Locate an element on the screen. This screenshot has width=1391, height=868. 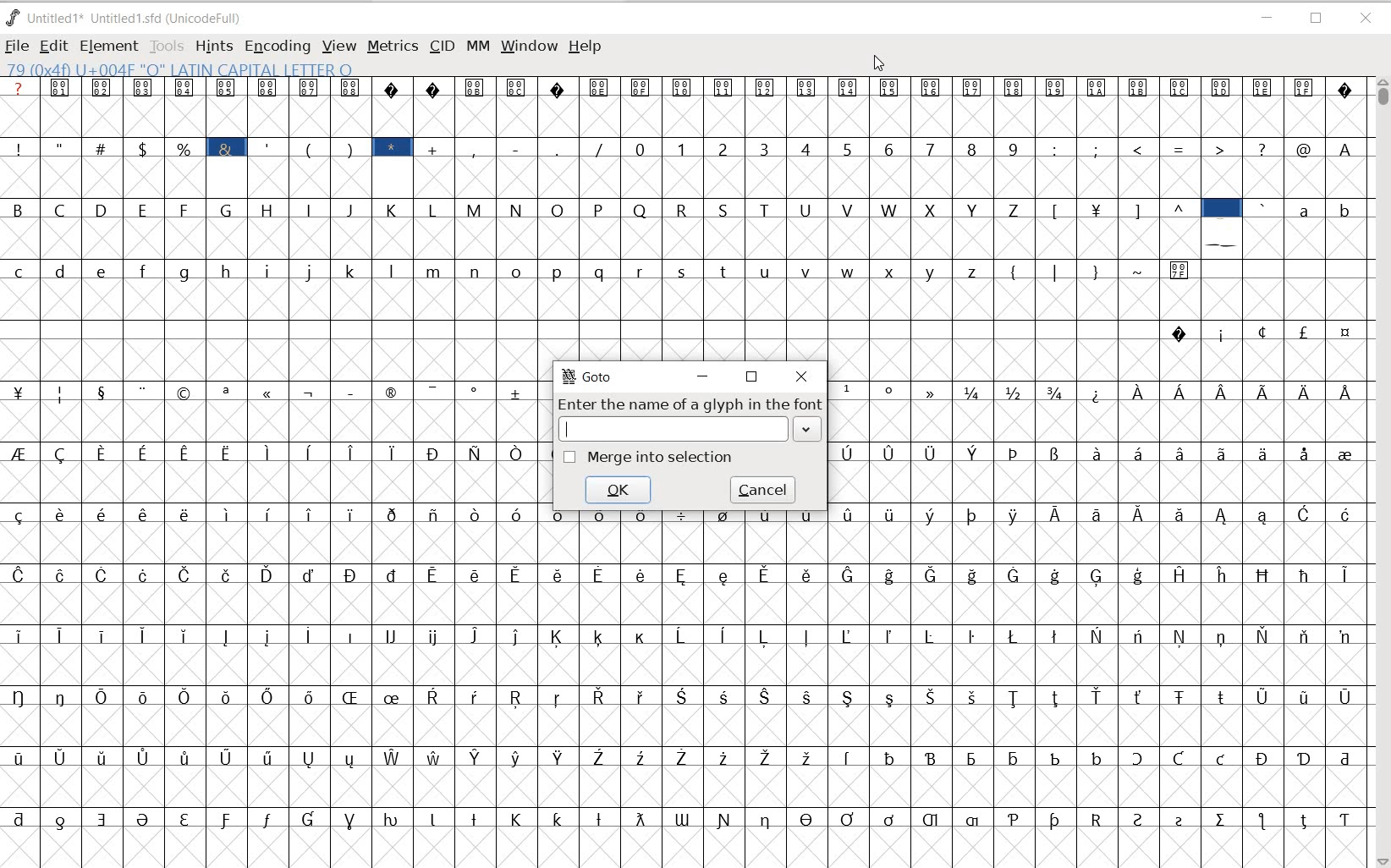
MINIMIZE is located at coordinates (1267, 18).